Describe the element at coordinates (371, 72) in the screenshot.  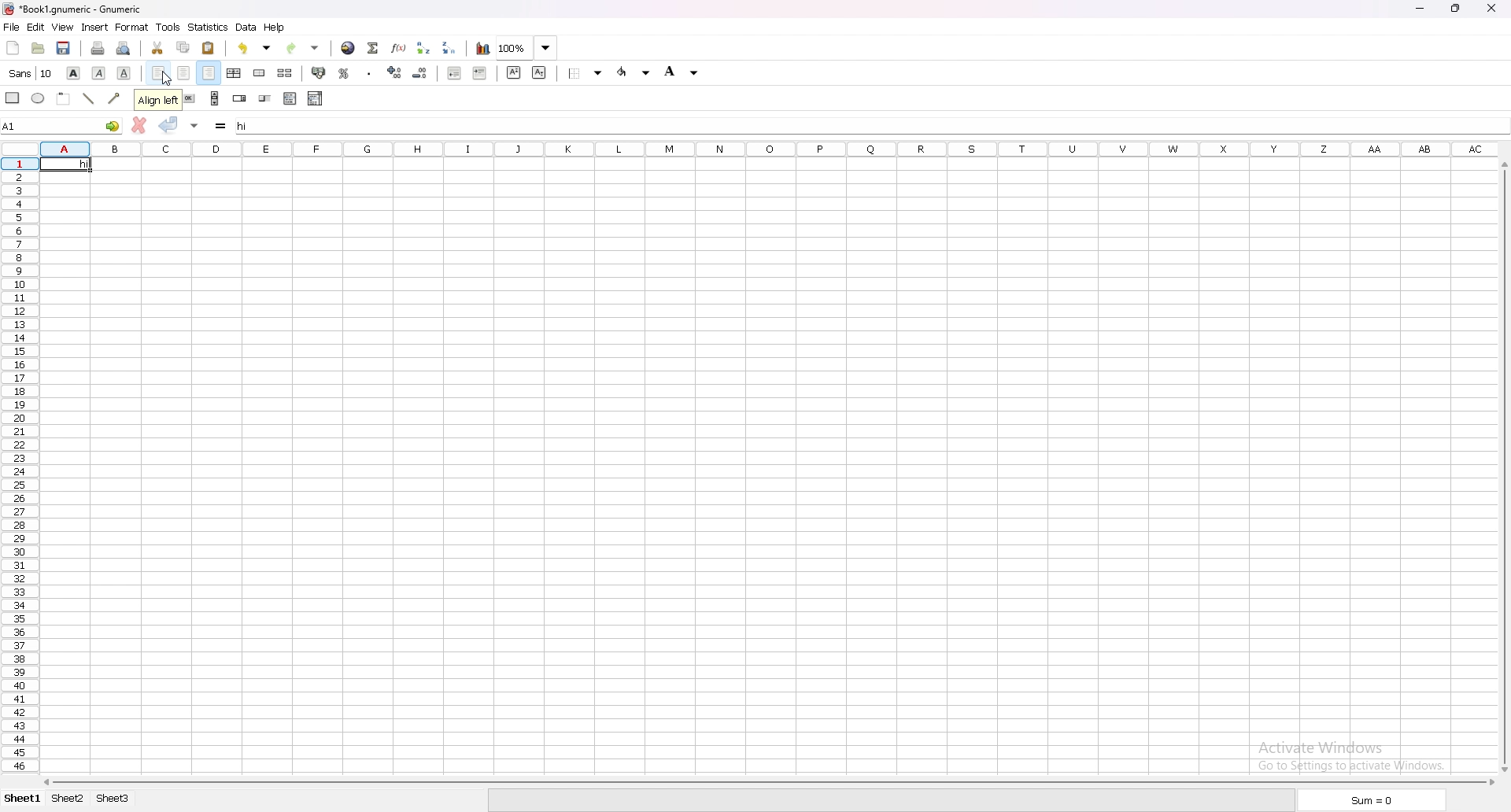
I see `thousands separator` at that location.